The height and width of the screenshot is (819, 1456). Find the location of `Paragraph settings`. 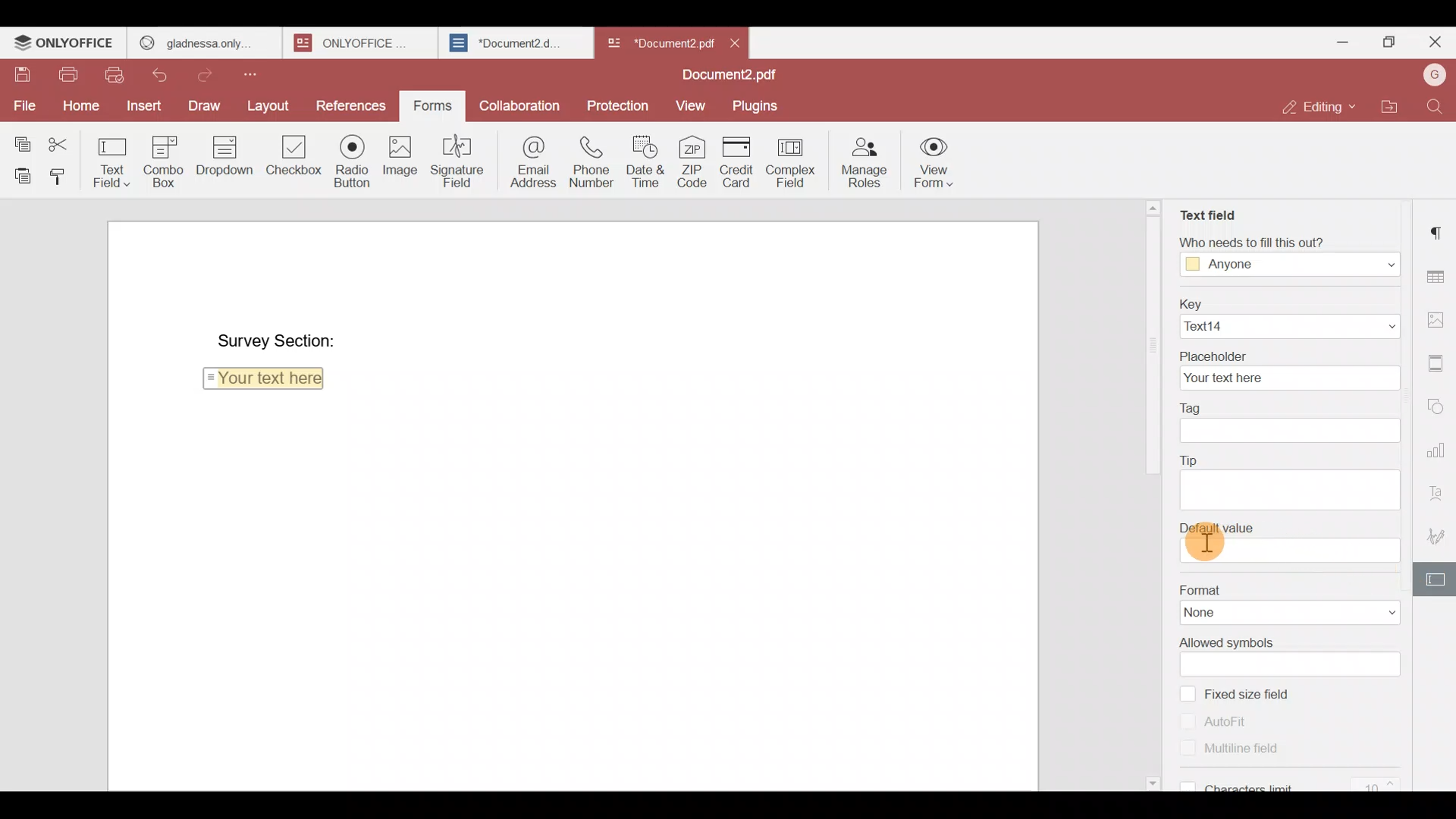

Paragraph settings is located at coordinates (1439, 227).